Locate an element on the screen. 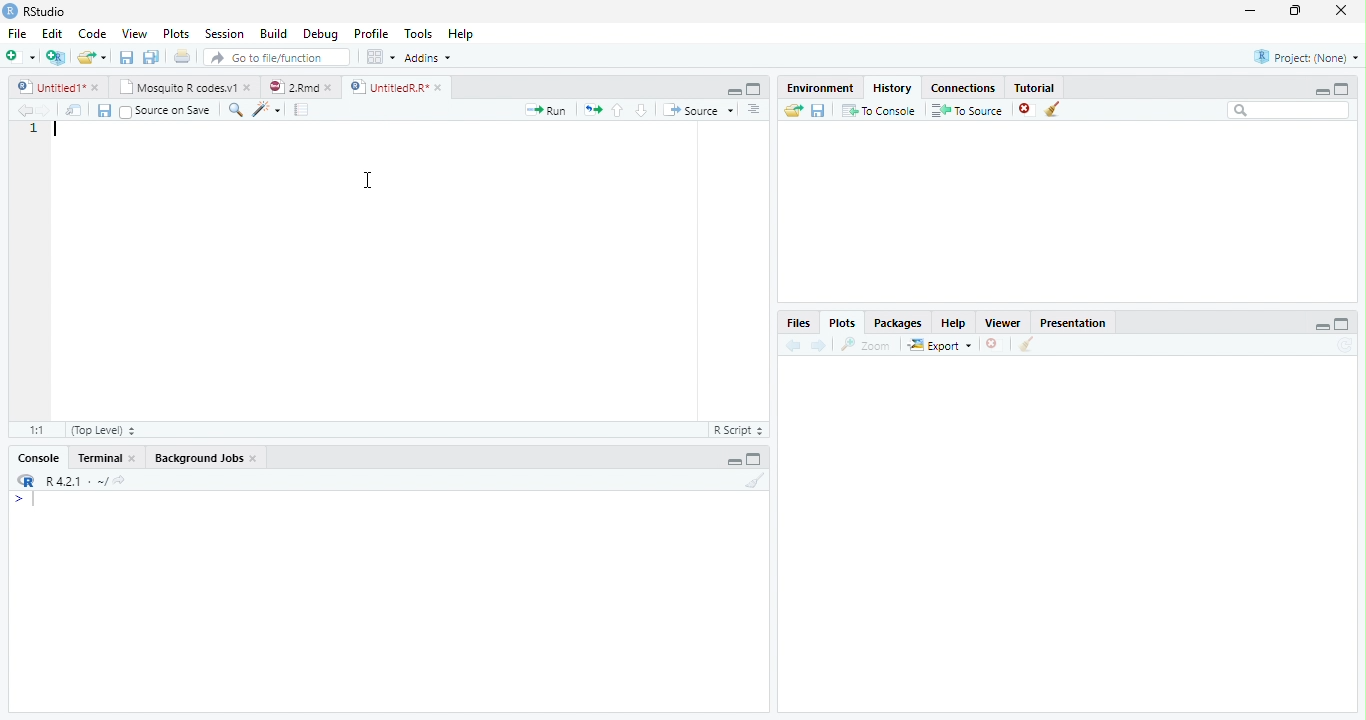 The height and width of the screenshot is (720, 1366). close is located at coordinates (332, 87).